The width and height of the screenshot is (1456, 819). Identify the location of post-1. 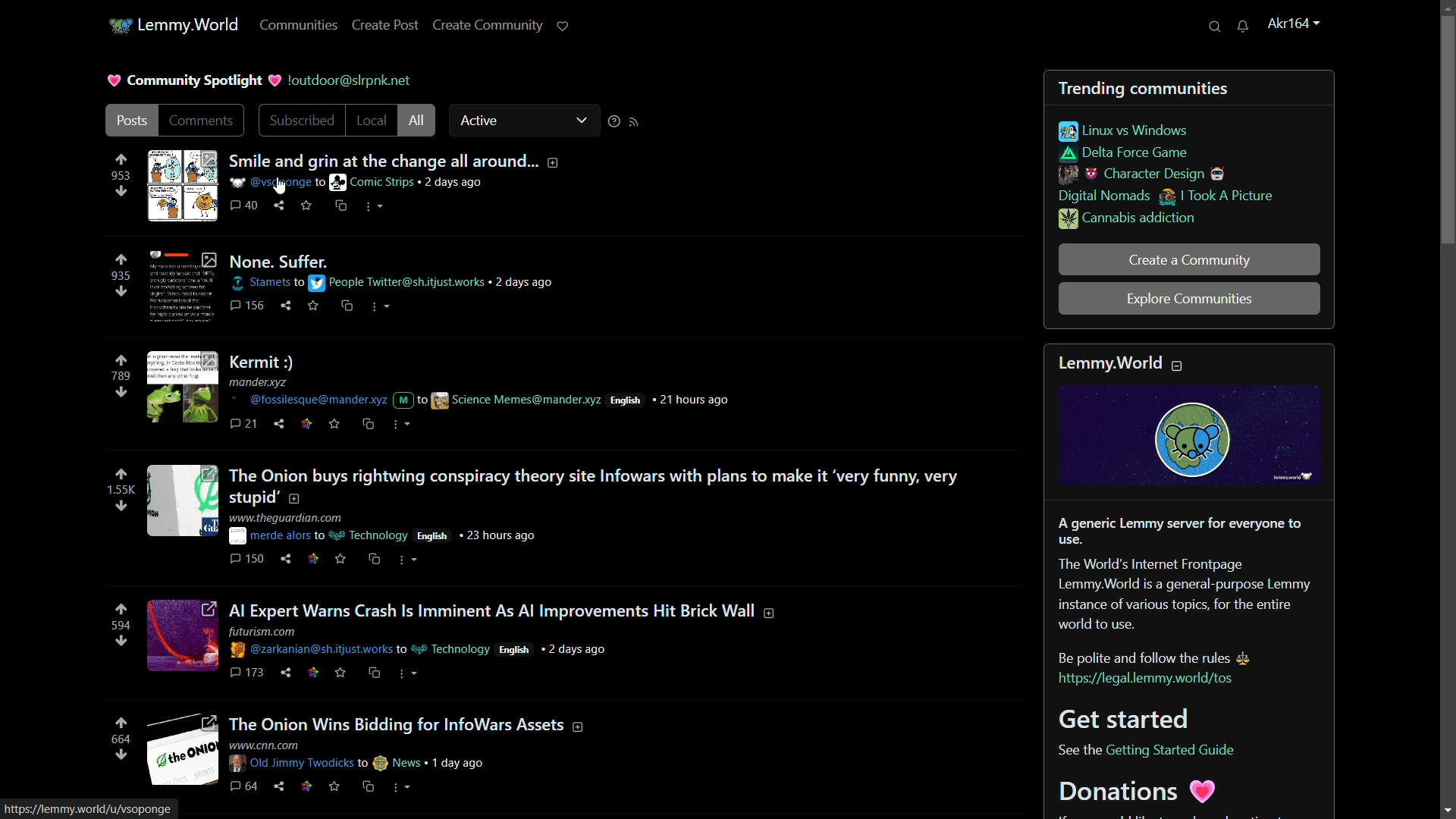
(394, 159).